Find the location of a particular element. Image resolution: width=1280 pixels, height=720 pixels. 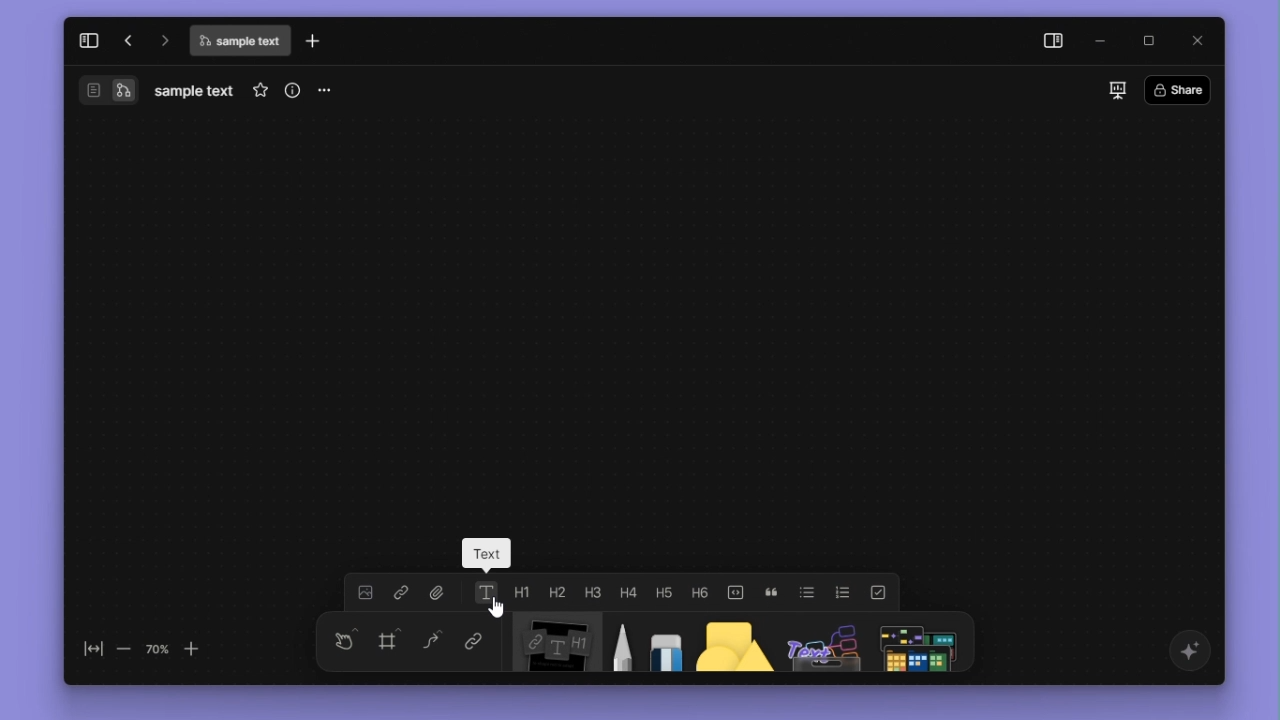

image is located at coordinates (364, 593).